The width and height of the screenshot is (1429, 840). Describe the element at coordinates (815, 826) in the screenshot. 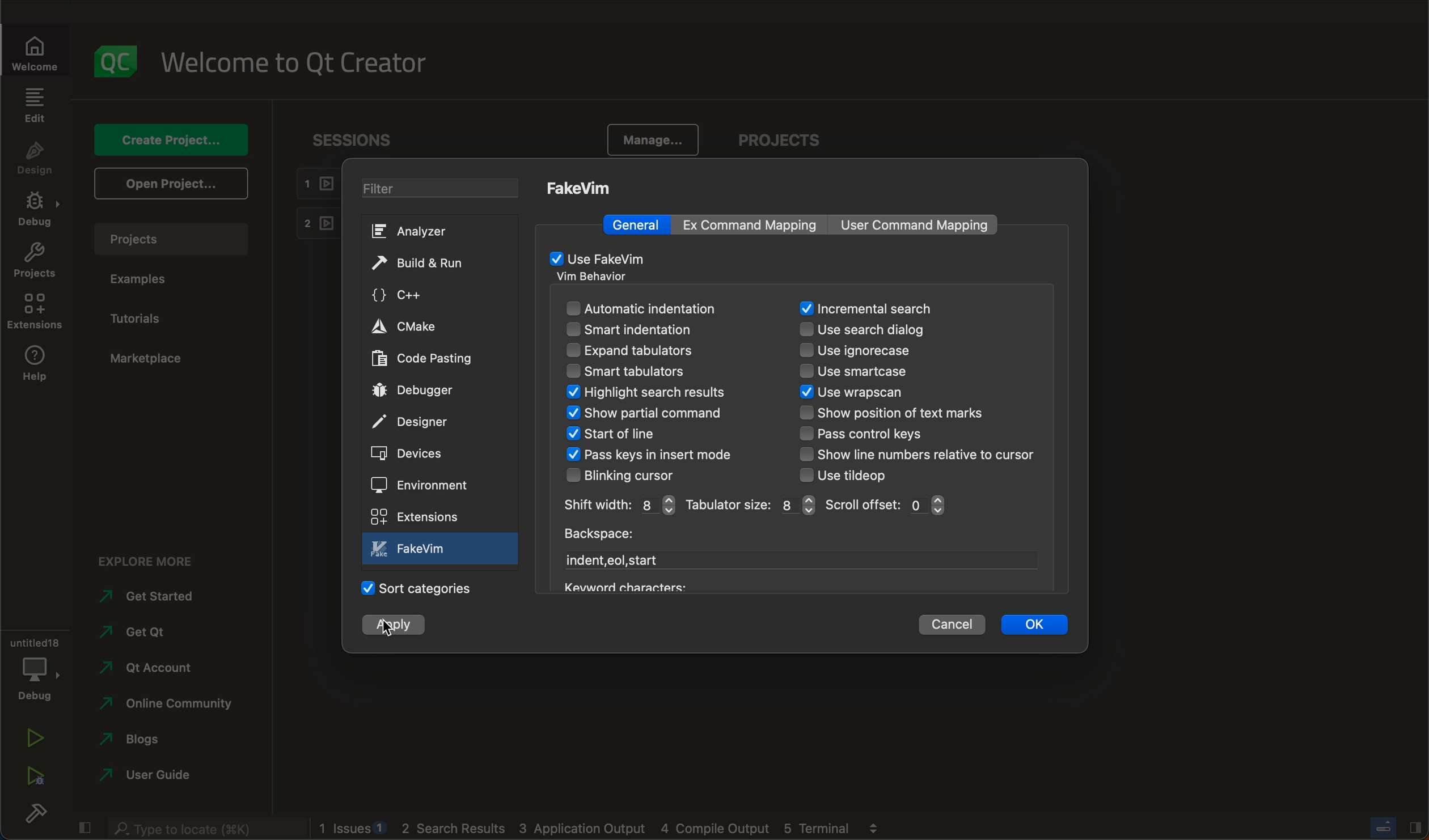

I see `` at that location.